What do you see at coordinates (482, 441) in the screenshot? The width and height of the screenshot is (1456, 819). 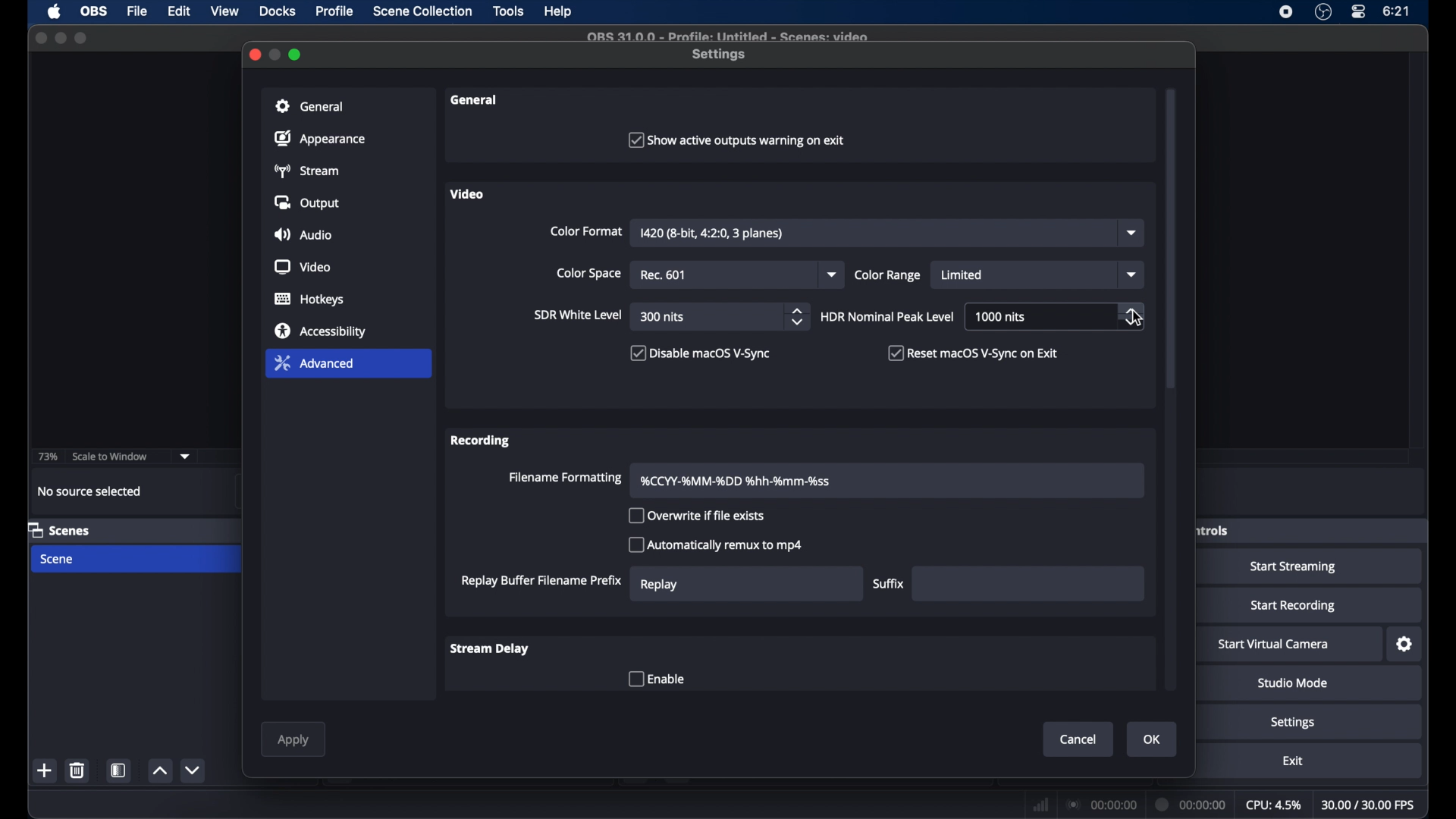 I see `recording` at bounding box center [482, 441].